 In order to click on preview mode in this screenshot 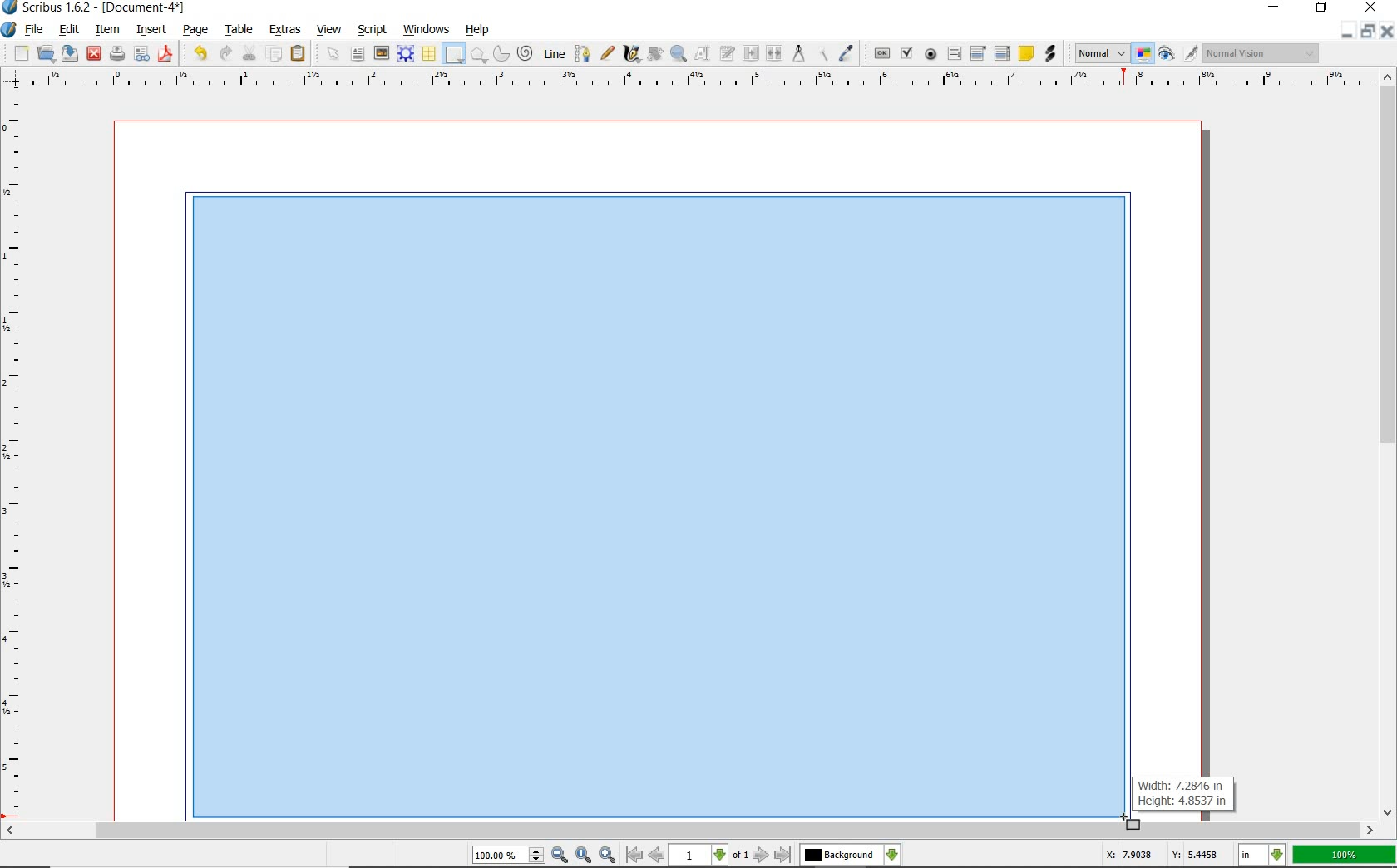, I will do `click(1178, 55)`.